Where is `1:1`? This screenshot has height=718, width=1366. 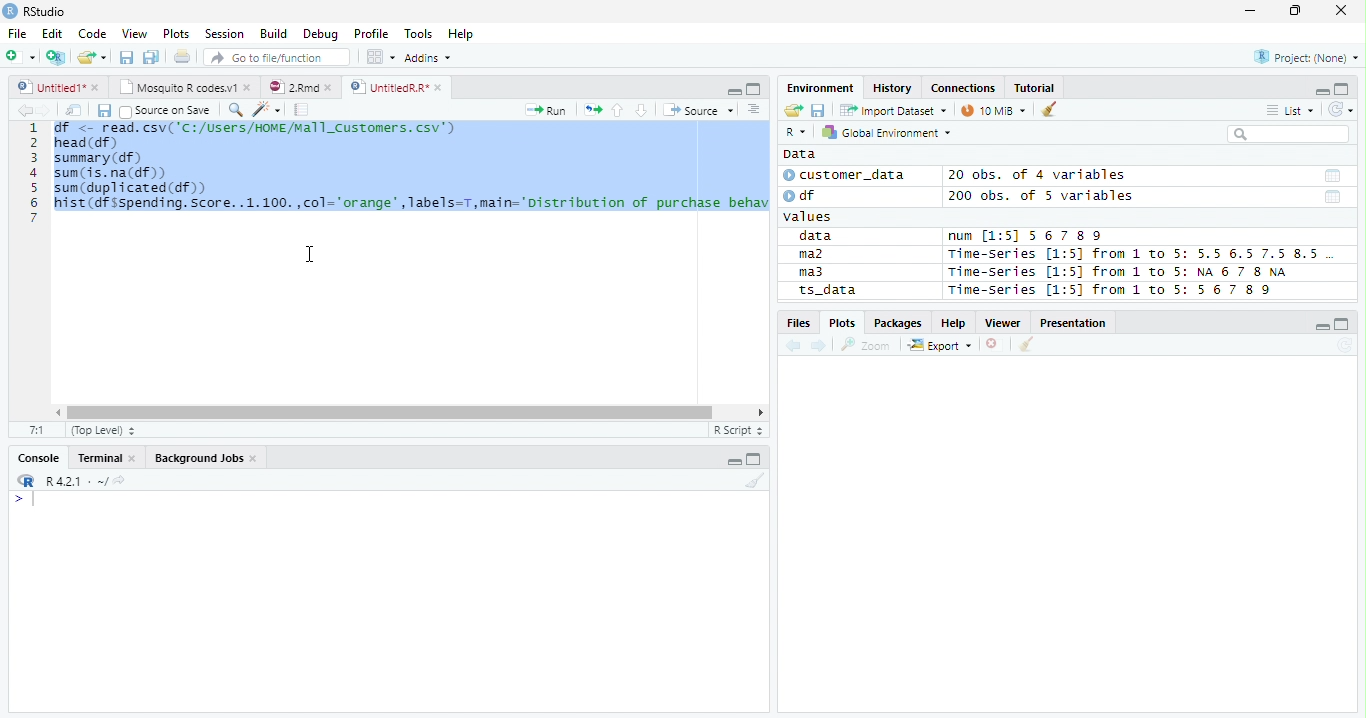 1:1 is located at coordinates (37, 430).